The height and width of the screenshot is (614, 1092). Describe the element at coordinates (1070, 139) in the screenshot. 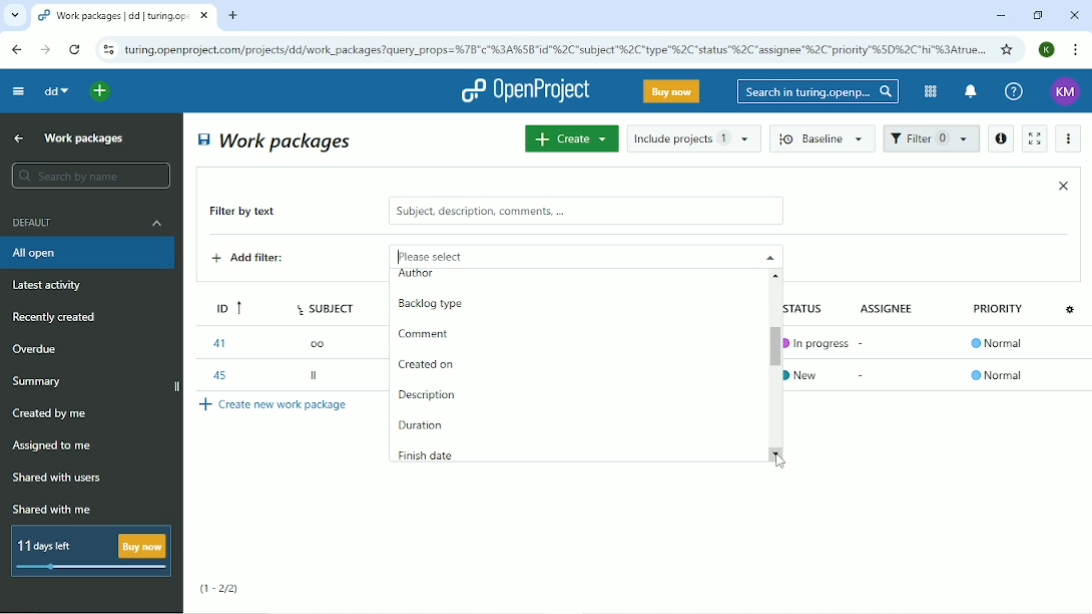

I see `More actions` at that location.